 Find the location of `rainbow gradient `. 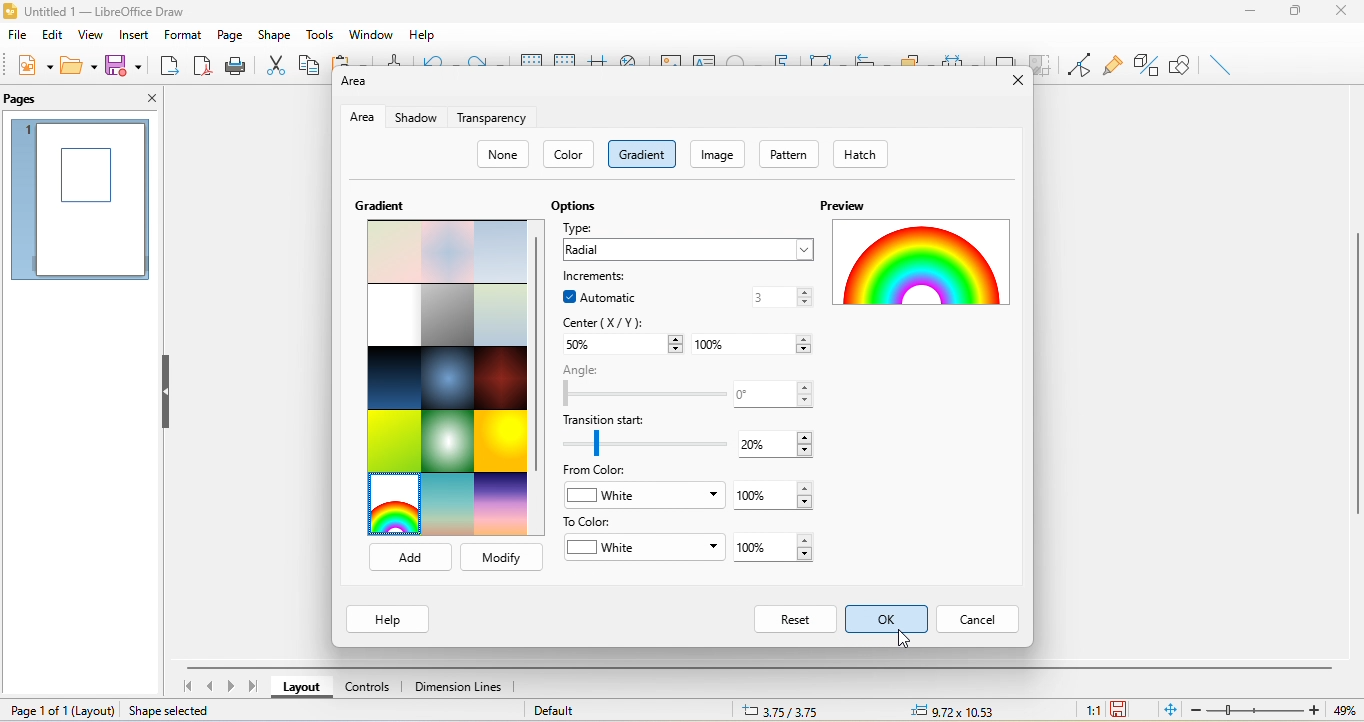

rainbow gradient  is located at coordinates (919, 257).